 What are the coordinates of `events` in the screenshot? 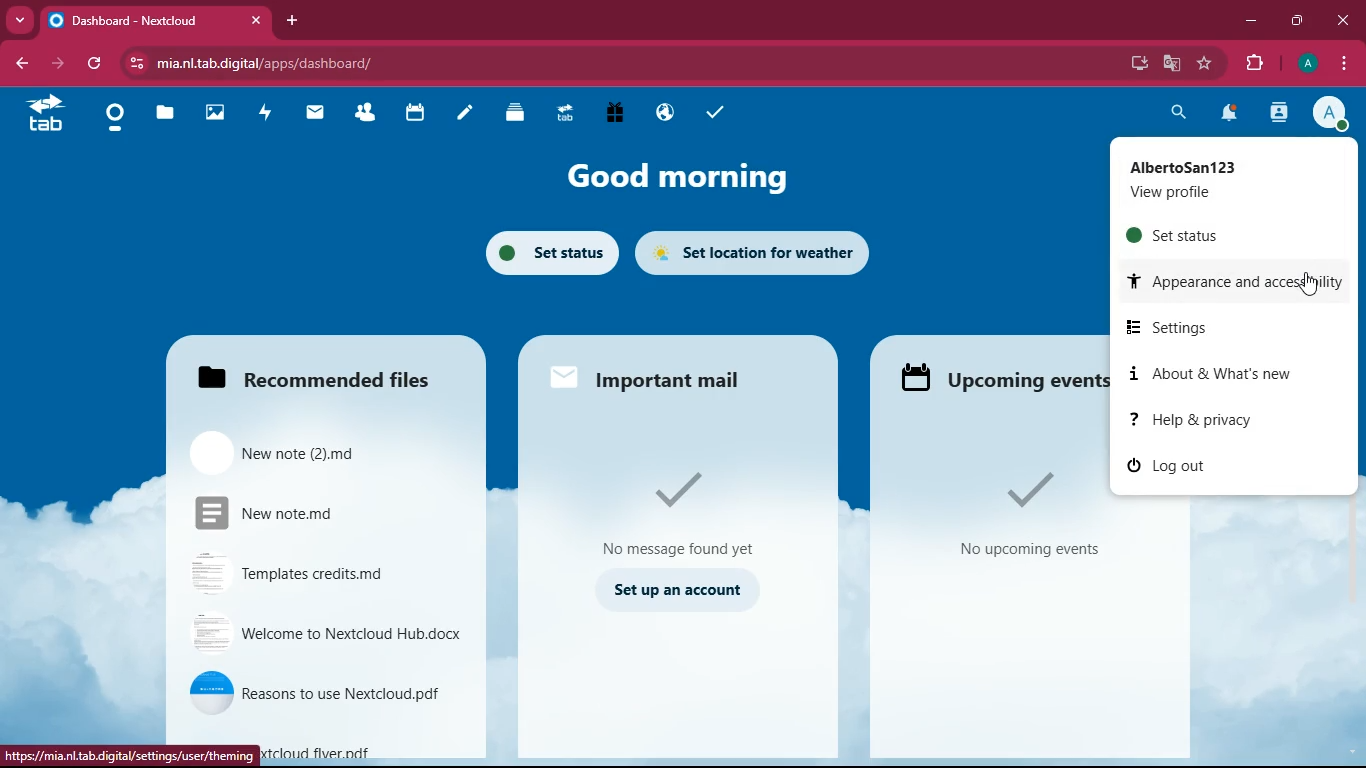 It's located at (1000, 380).